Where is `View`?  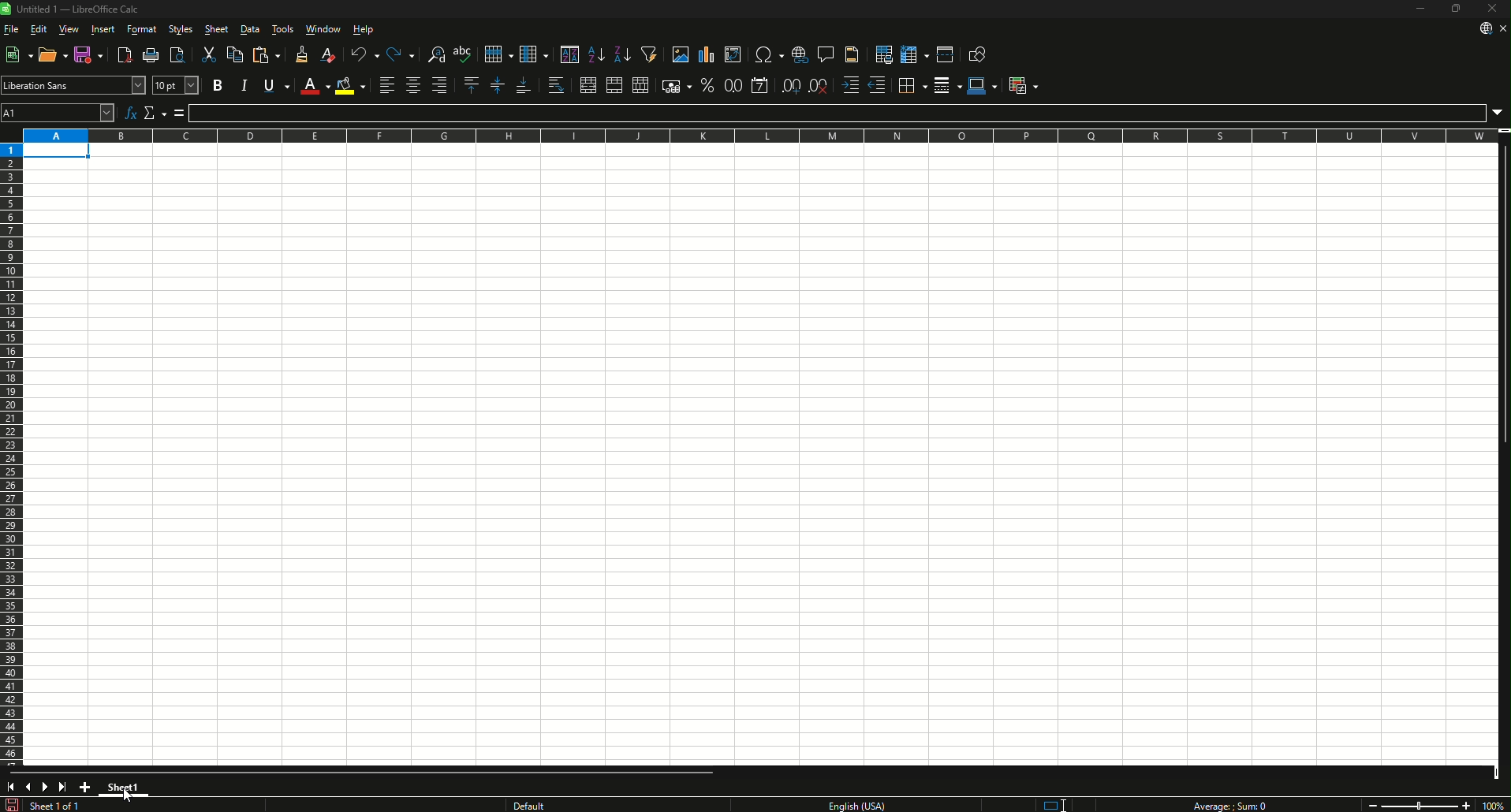
View is located at coordinates (69, 28).